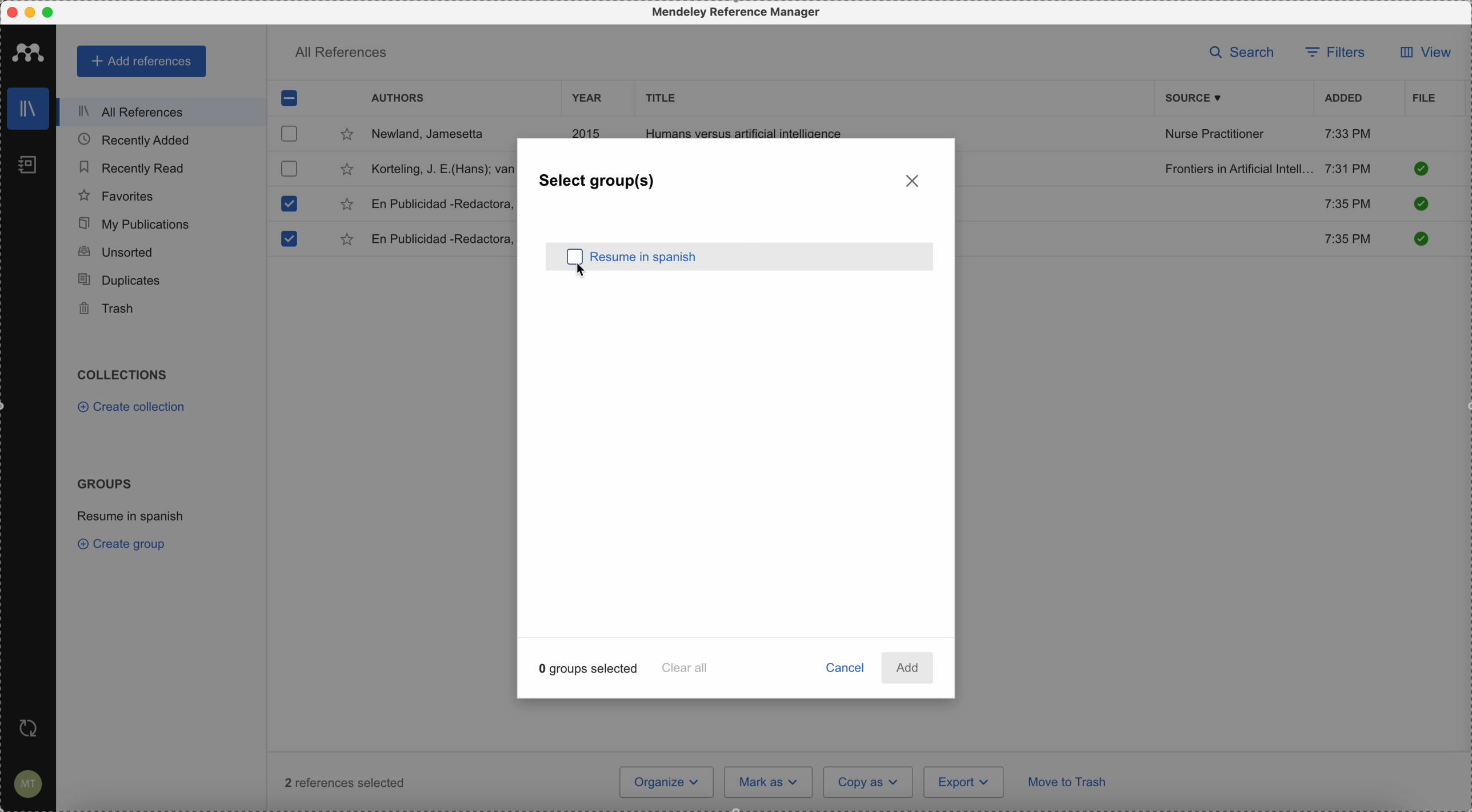 The image size is (1472, 812). What do you see at coordinates (869, 782) in the screenshot?
I see `copy as` at bounding box center [869, 782].